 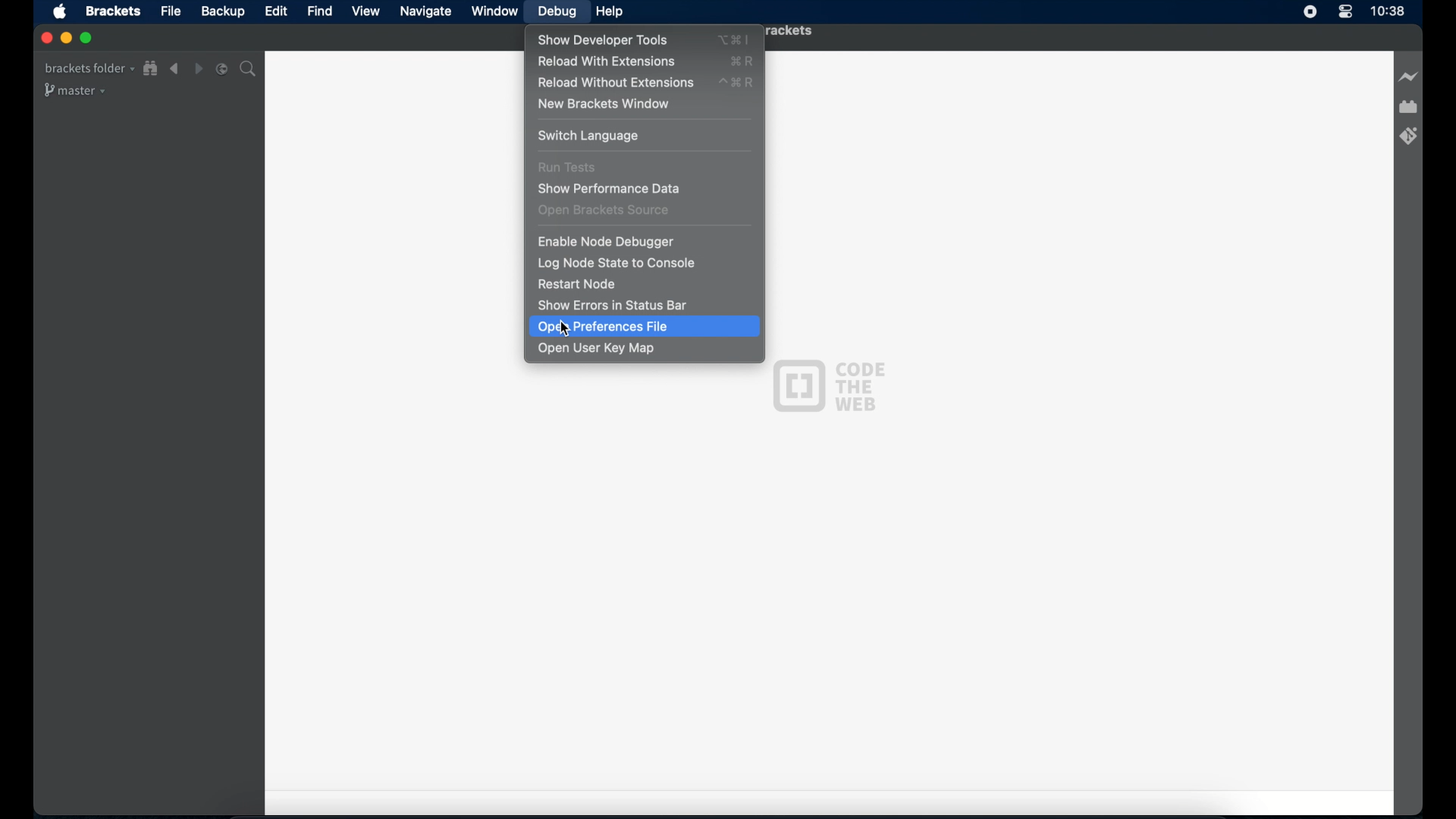 I want to click on close, so click(x=47, y=39).